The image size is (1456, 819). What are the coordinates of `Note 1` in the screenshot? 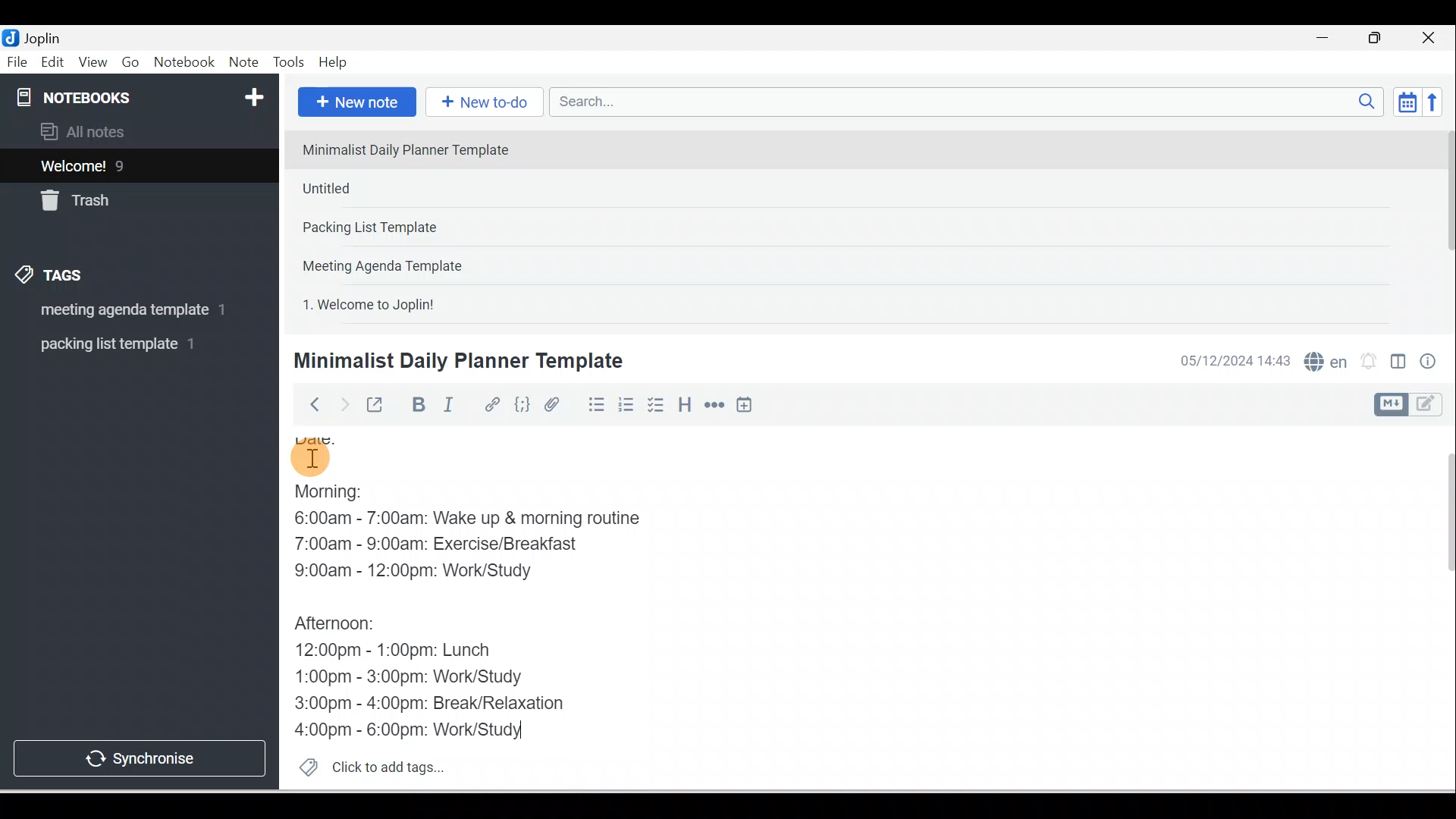 It's located at (416, 149).